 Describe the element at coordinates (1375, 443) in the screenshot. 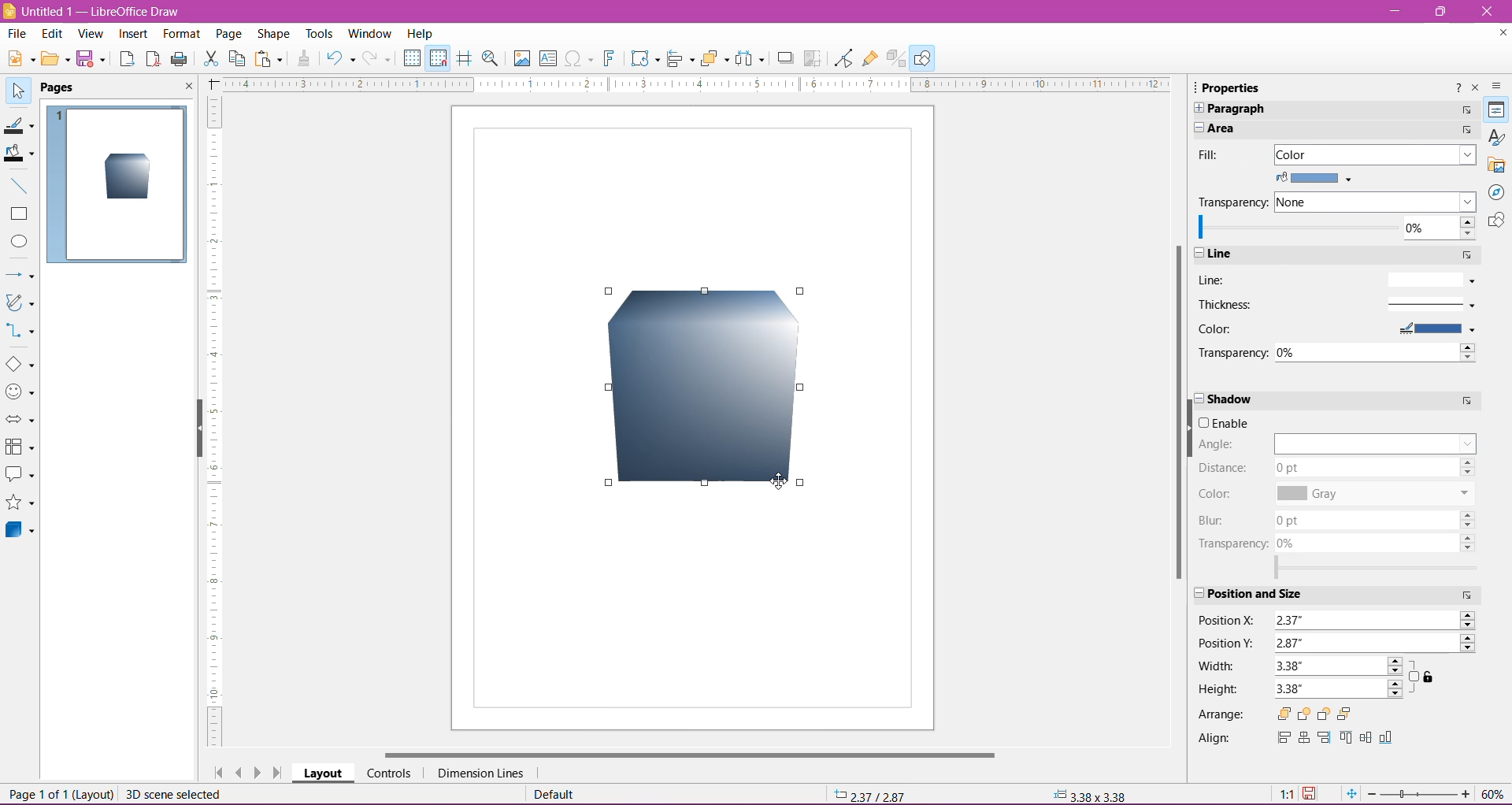

I see `Set Shadow Angle` at that location.